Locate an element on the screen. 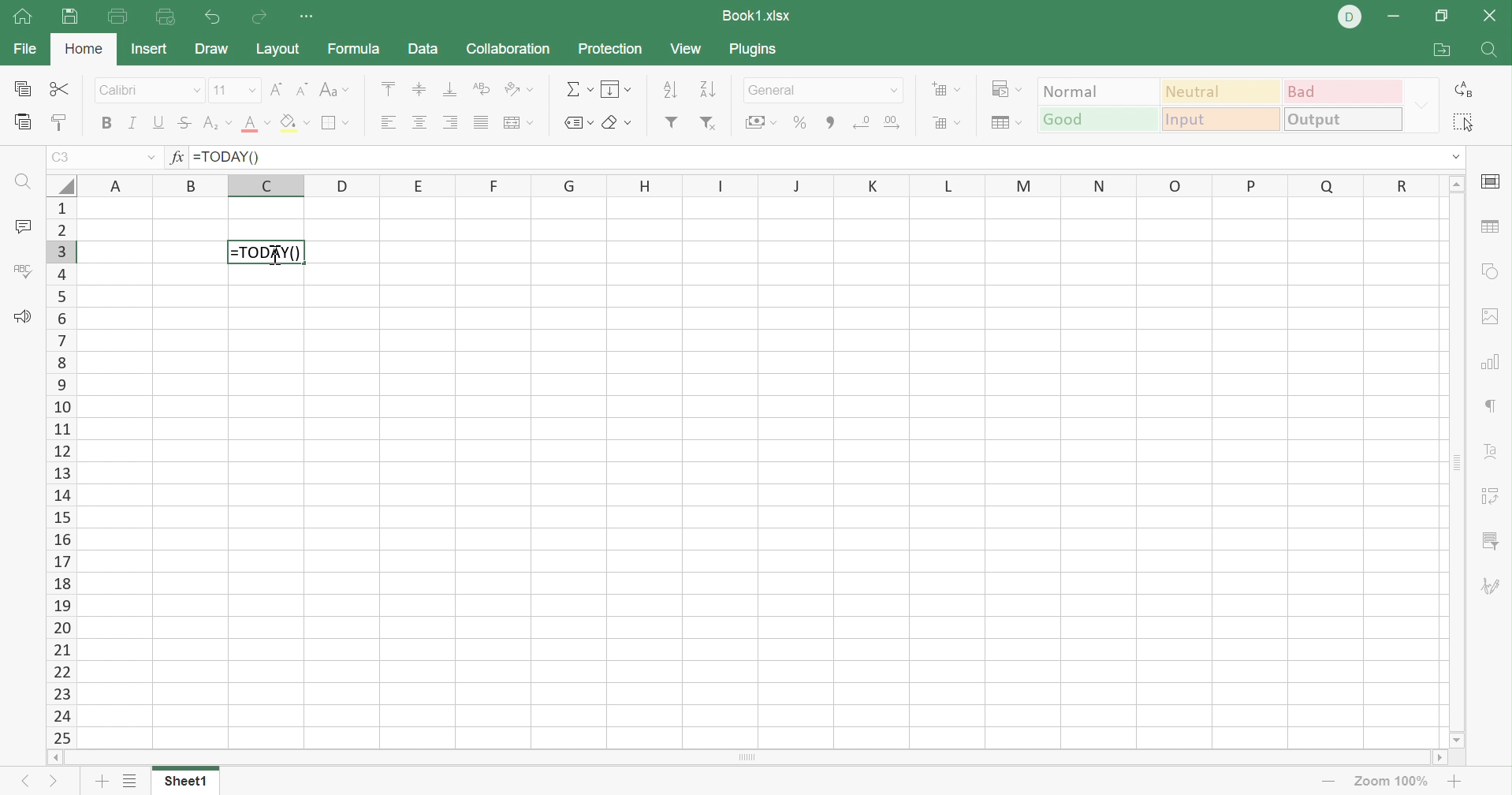  File is located at coordinates (23, 50).